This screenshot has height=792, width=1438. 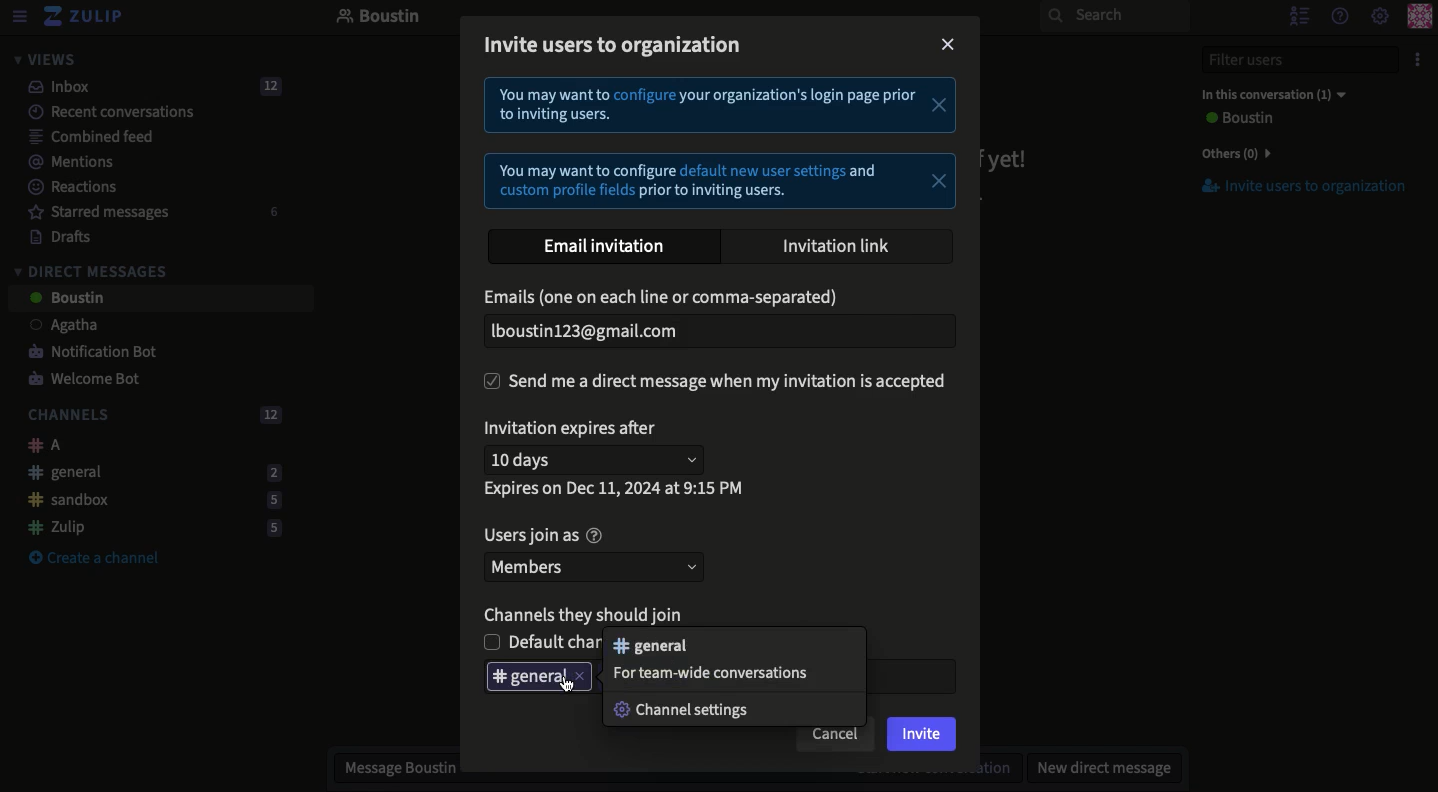 I want to click on Mentions, so click(x=64, y=162).